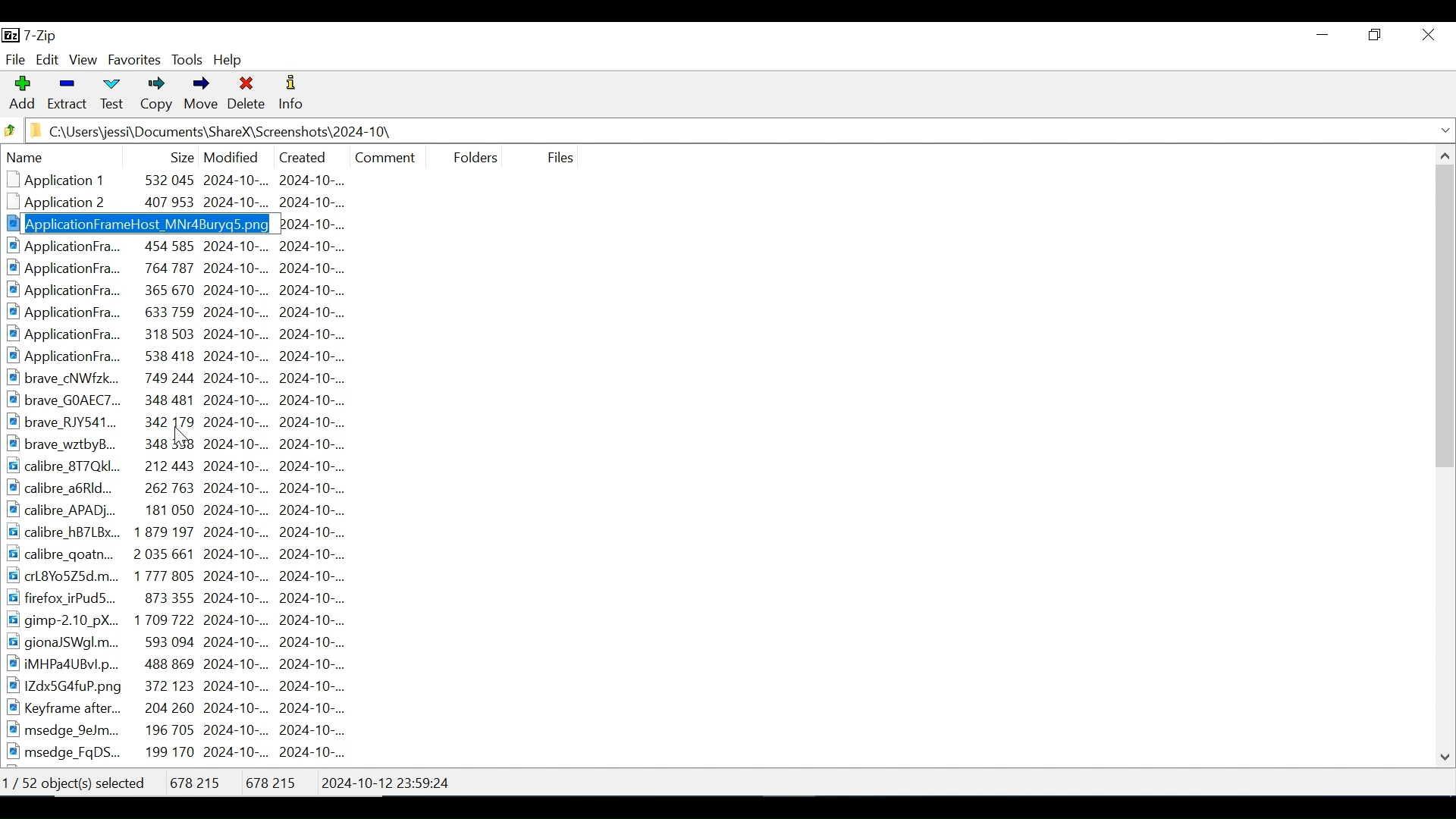  Describe the element at coordinates (187, 399) in the screenshot. I see ` brave GOAEC7... 348 481 2024-10-.. 2024-10-...` at that location.